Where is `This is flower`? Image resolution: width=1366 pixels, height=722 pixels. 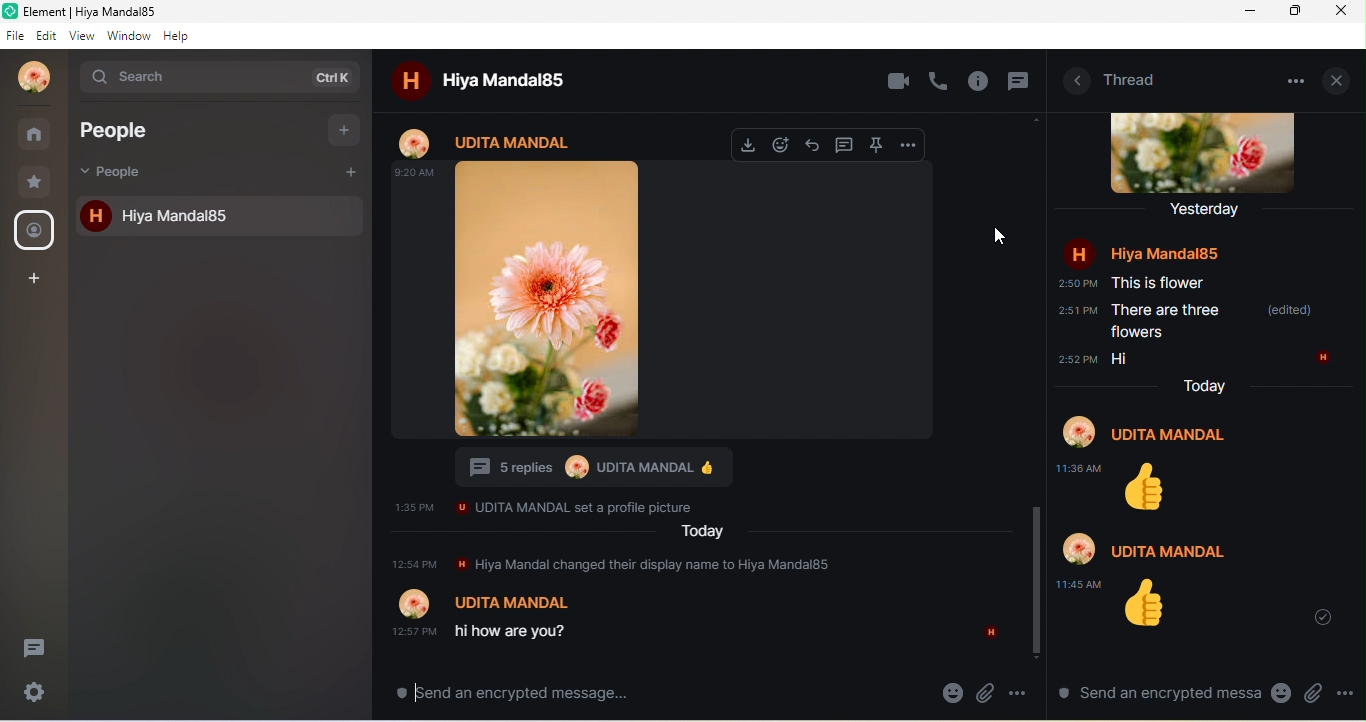 This is flower is located at coordinates (1159, 283).